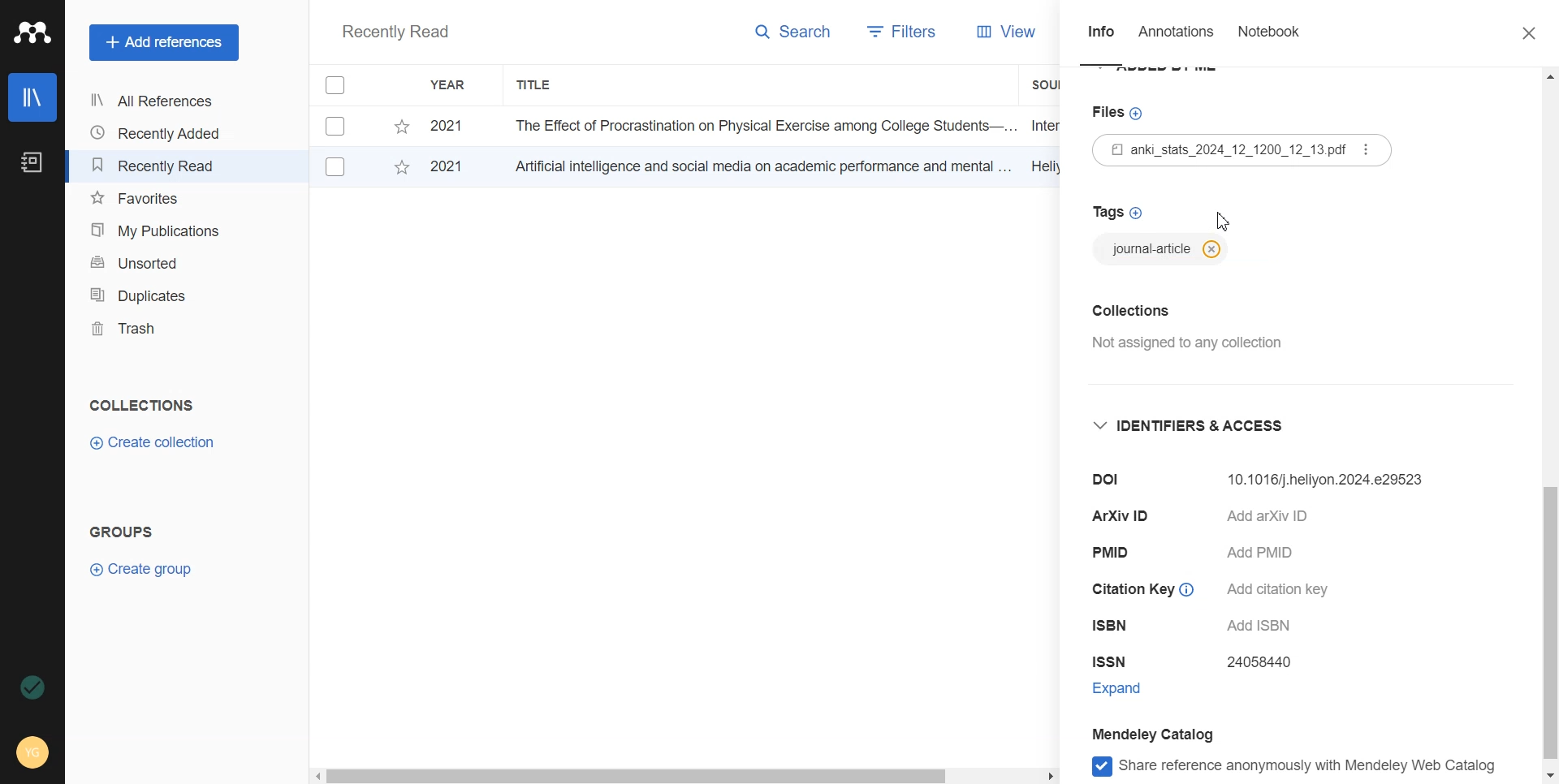 The height and width of the screenshot is (784, 1559). Describe the element at coordinates (896, 33) in the screenshot. I see `Filters` at that location.